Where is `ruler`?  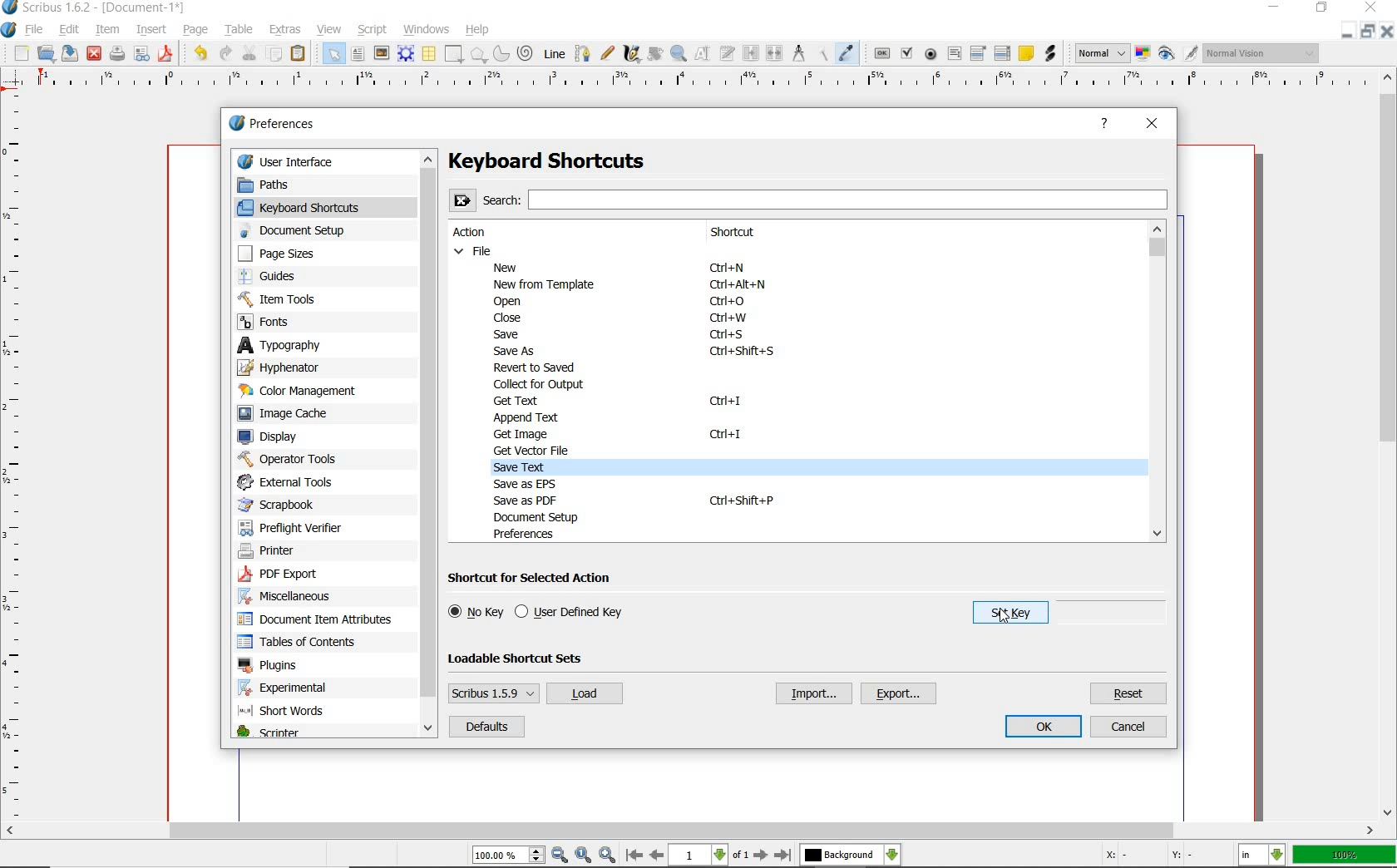
ruler is located at coordinates (699, 84).